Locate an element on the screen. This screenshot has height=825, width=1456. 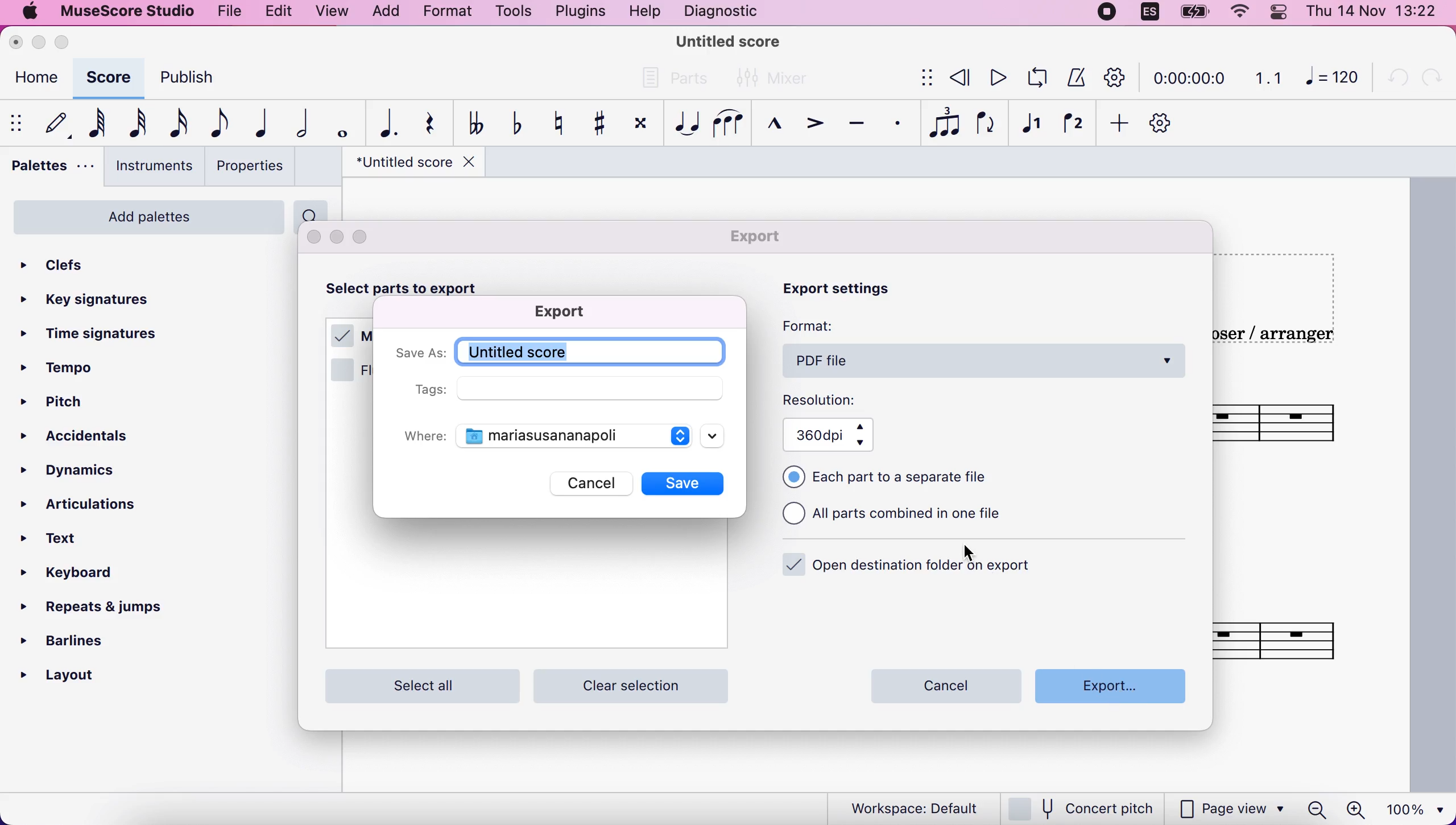
32nd note is located at coordinates (135, 122).